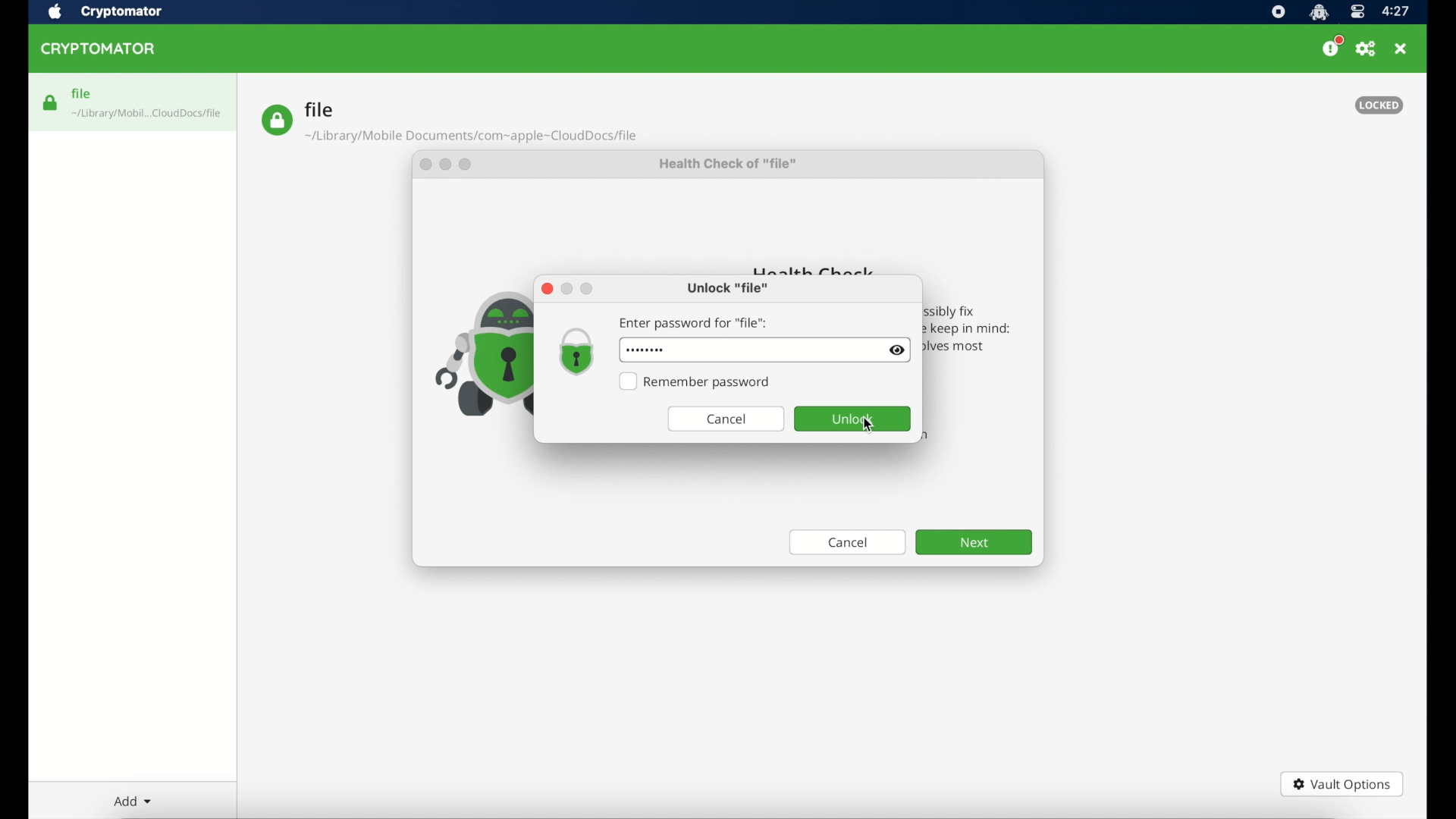 The height and width of the screenshot is (819, 1456). I want to click on cancel, so click(848, 544).